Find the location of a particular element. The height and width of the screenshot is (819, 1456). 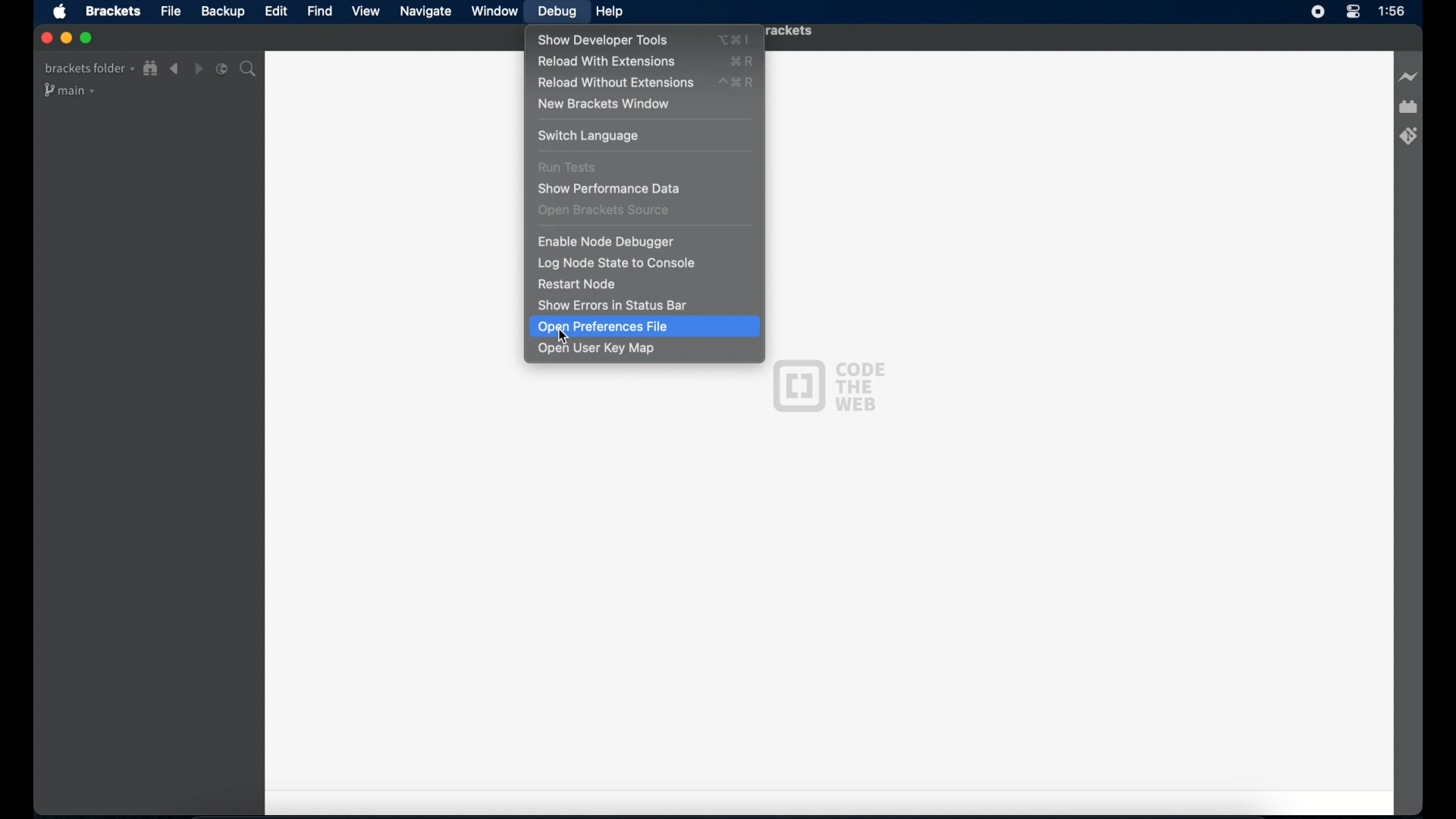

screen recorder icon is located at coordinates (1316, 12).